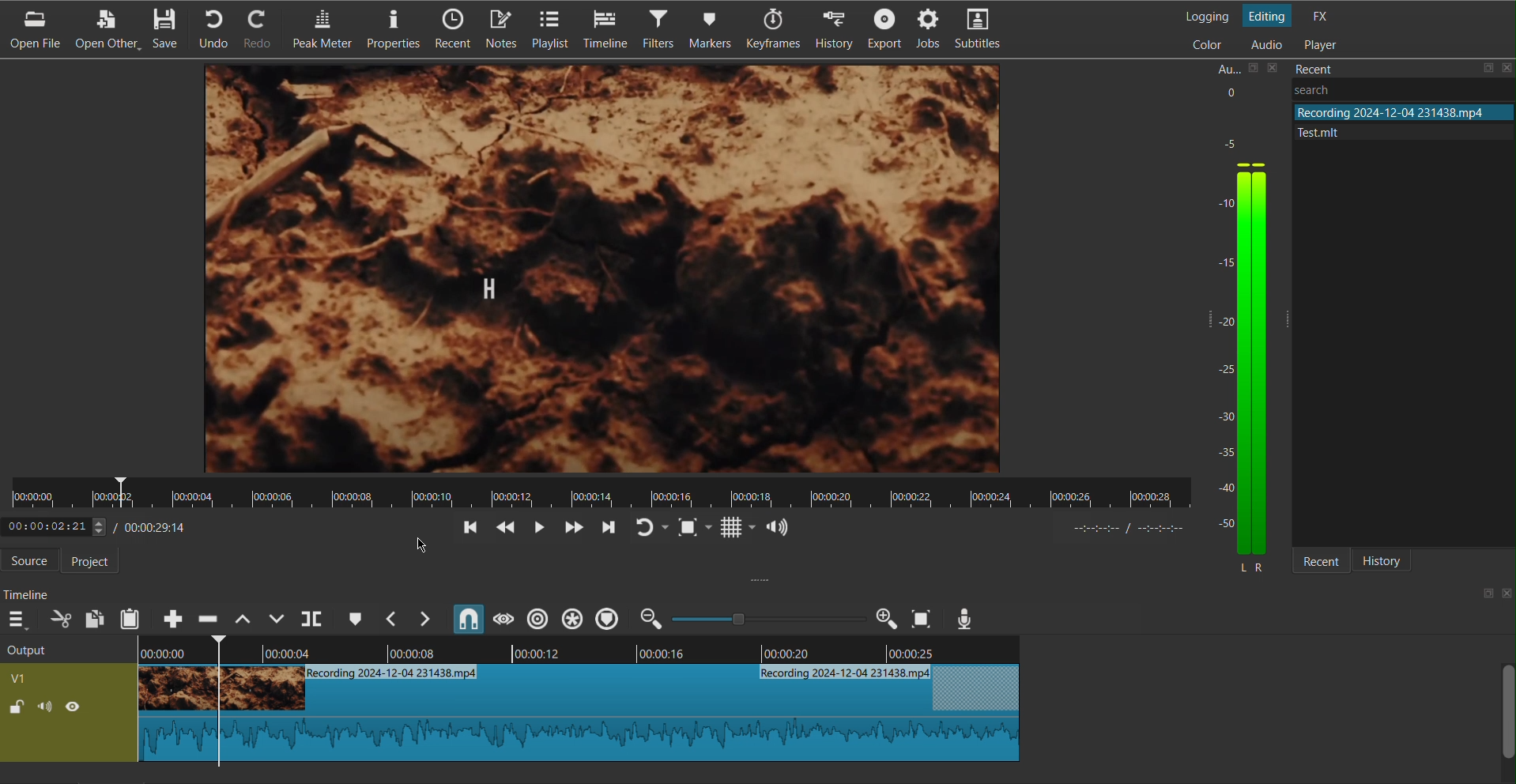 The image size is (1516, 784). Describe the element at coordinates (763, 618) in the screenshot. I see `zoom in or zoom out slider` at that location.